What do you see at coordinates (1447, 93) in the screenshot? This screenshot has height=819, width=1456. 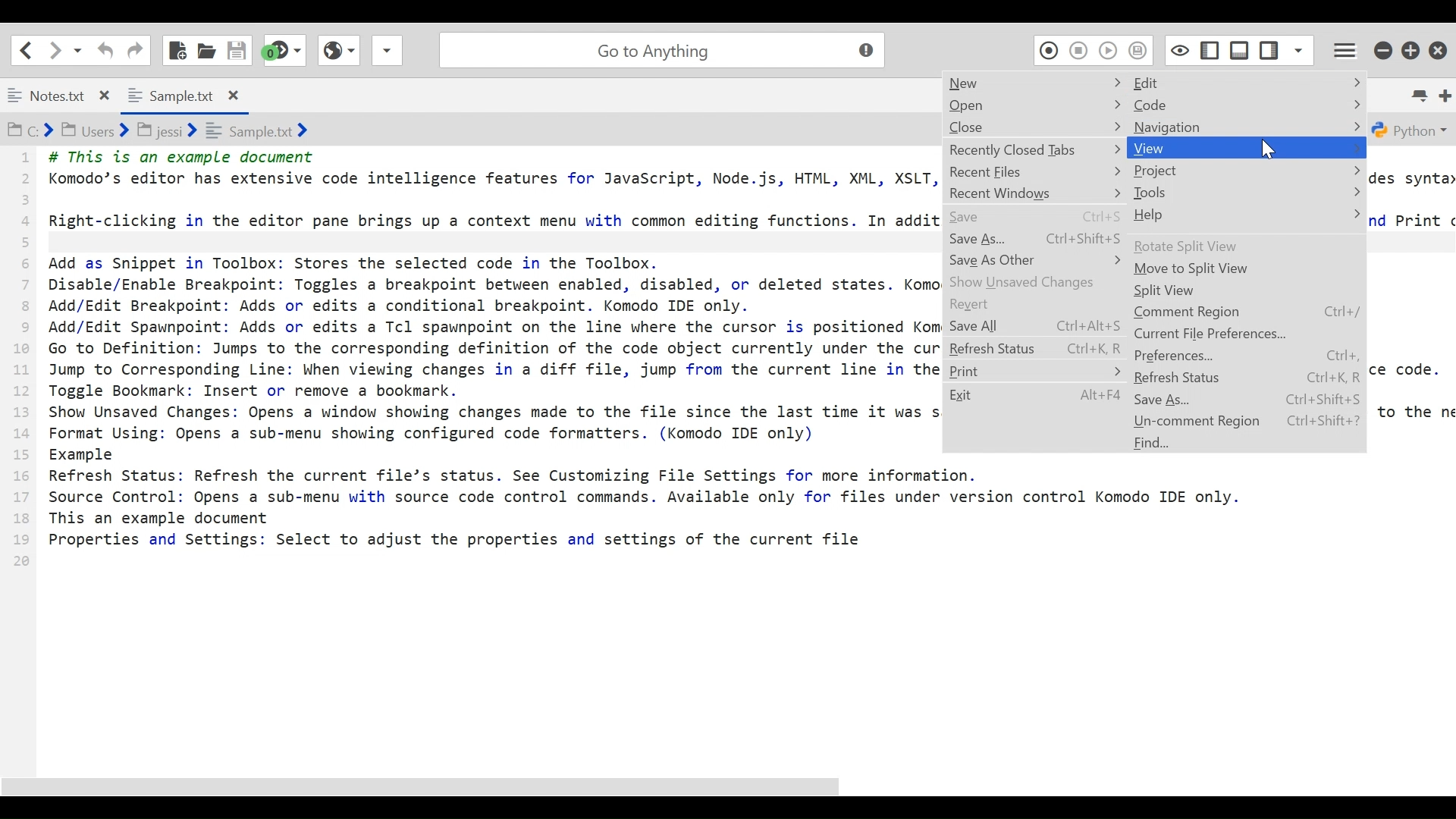 I see `Add new Tab` at bounding box center [1447, 93].